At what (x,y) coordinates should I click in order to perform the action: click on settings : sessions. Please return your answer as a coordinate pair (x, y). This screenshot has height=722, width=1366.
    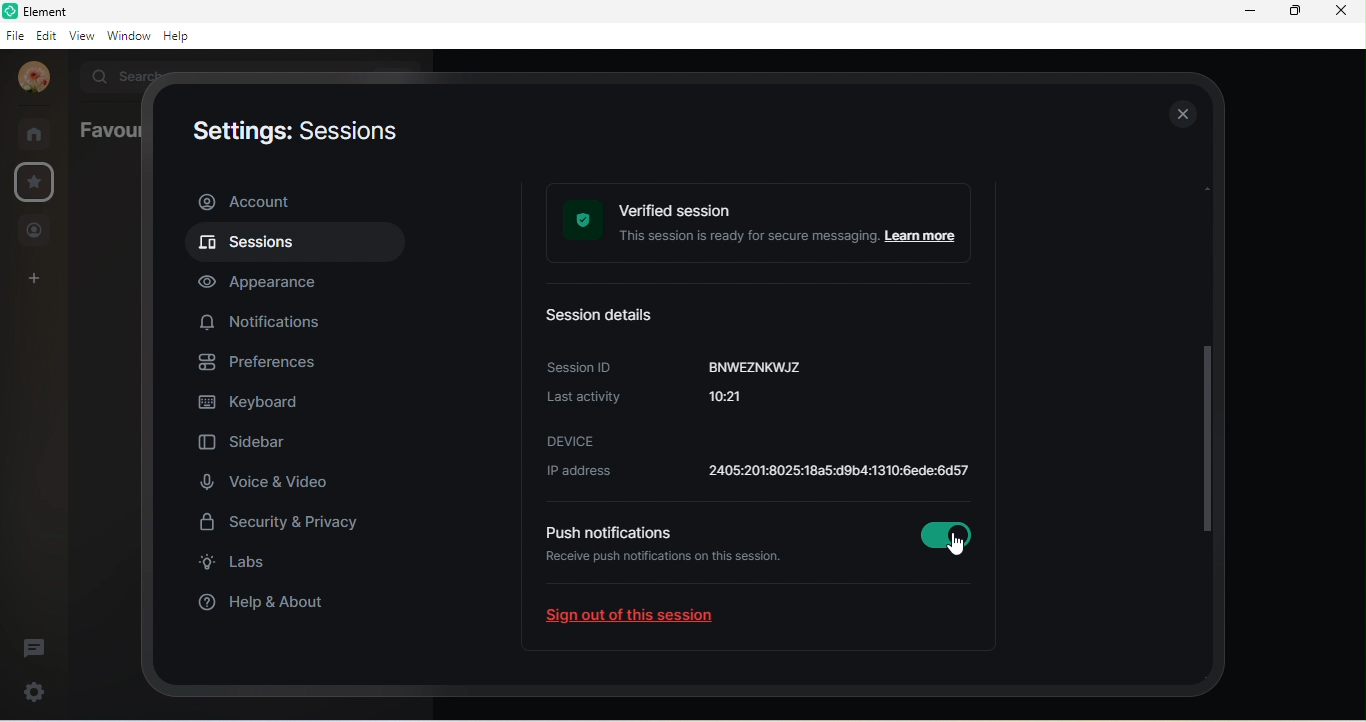
    Looking at the image, I should click on (292, 134).